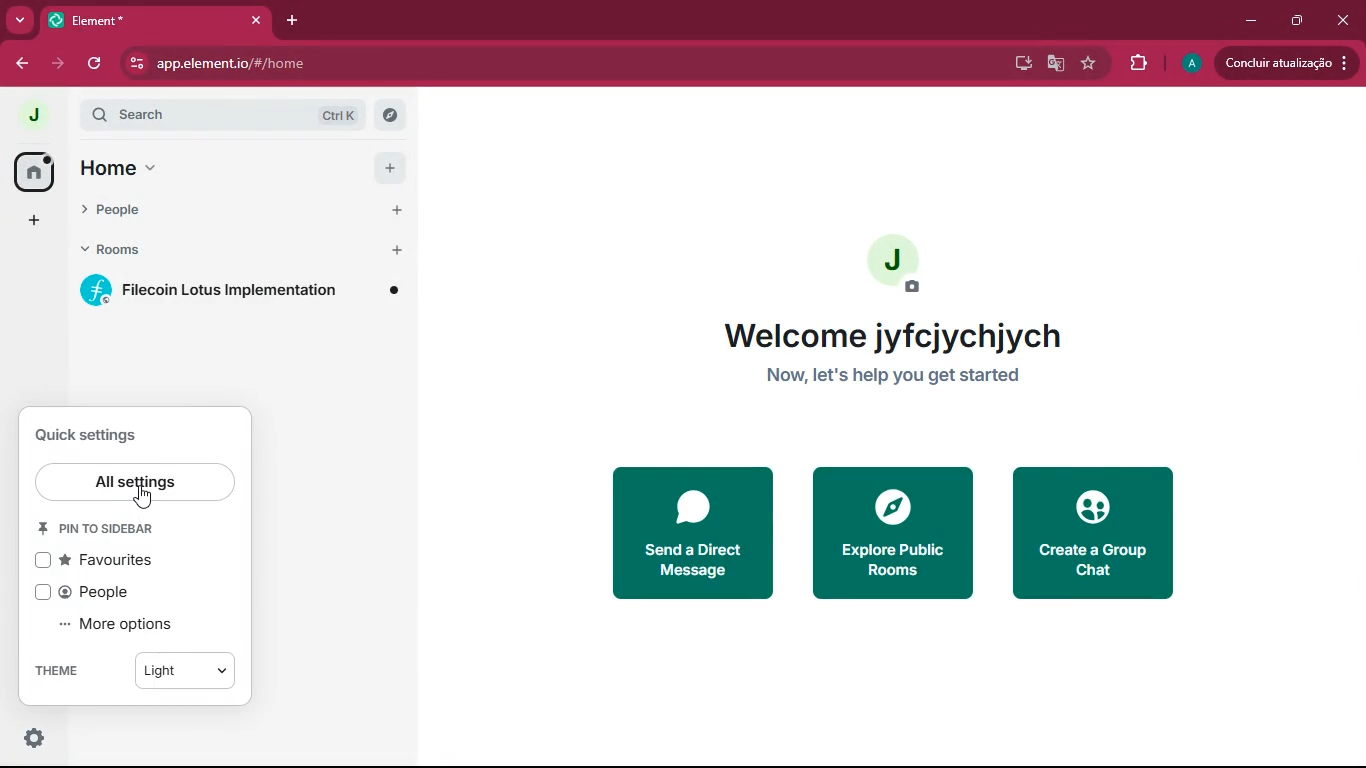 This screenshot has height=768, width=1366. Describe the element at coordinates (1347, 23) in the screenshot. I see `close` at that location.